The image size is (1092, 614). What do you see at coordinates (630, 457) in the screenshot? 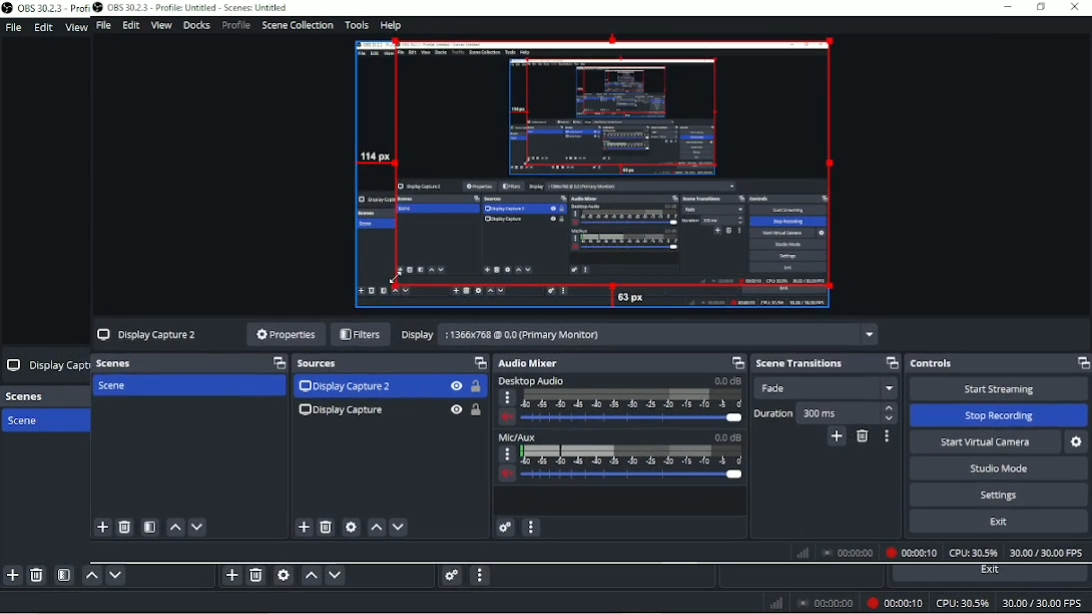
I see `scale` at bounding box center [630, 457].